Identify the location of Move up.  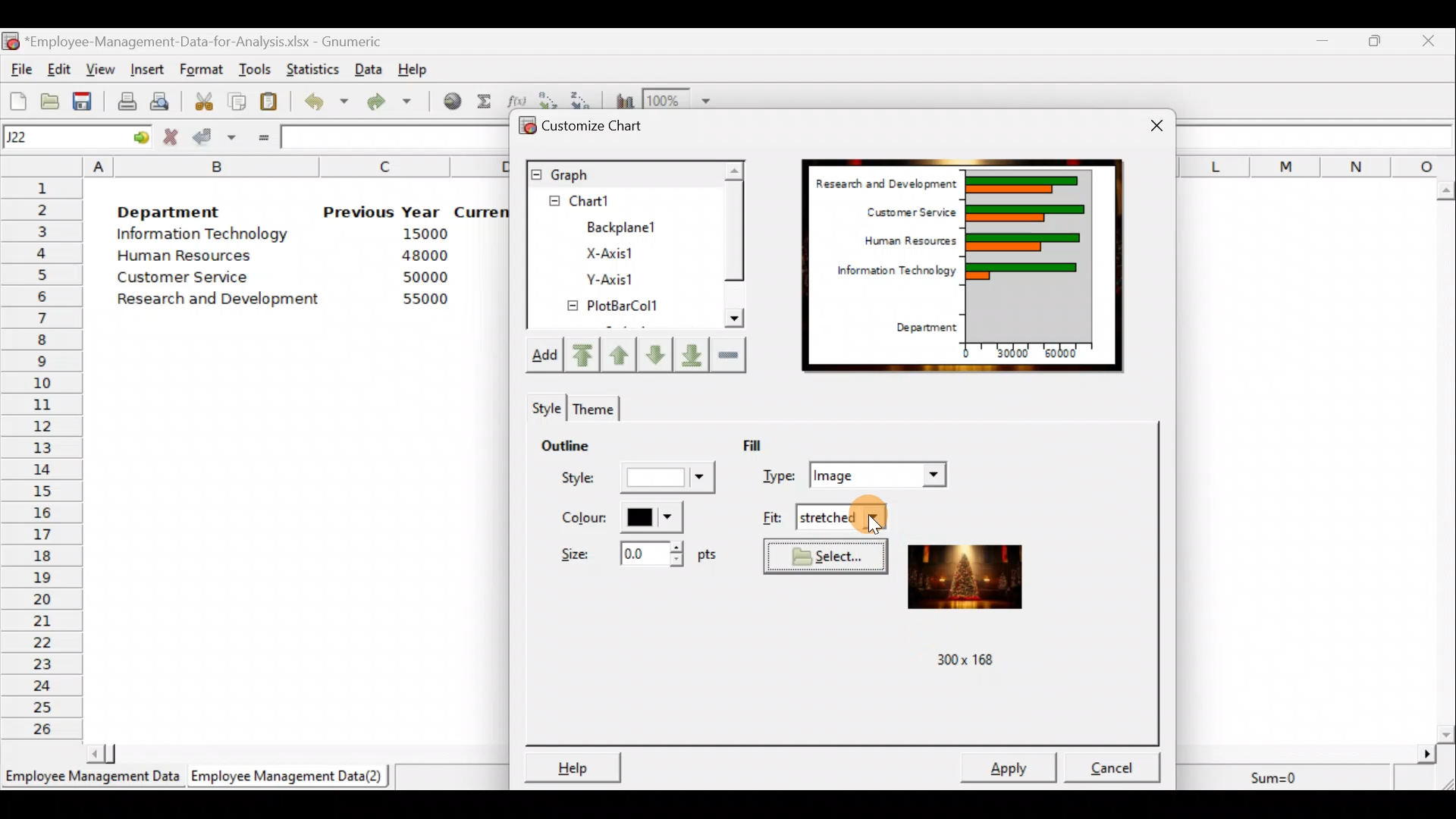
(620, 353).